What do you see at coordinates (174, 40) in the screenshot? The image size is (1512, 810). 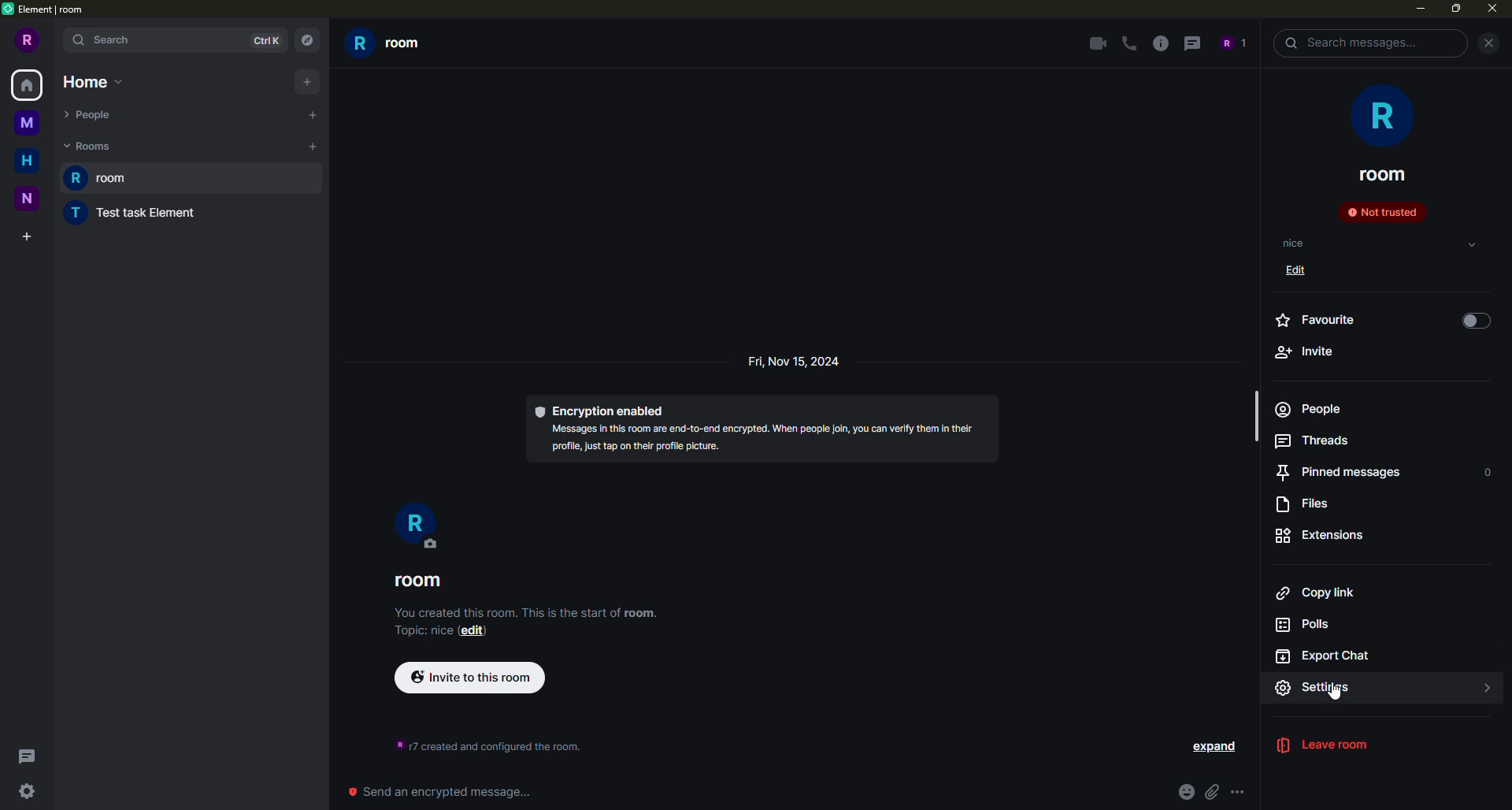 I see `search bar` at bounding box center [174, 40].